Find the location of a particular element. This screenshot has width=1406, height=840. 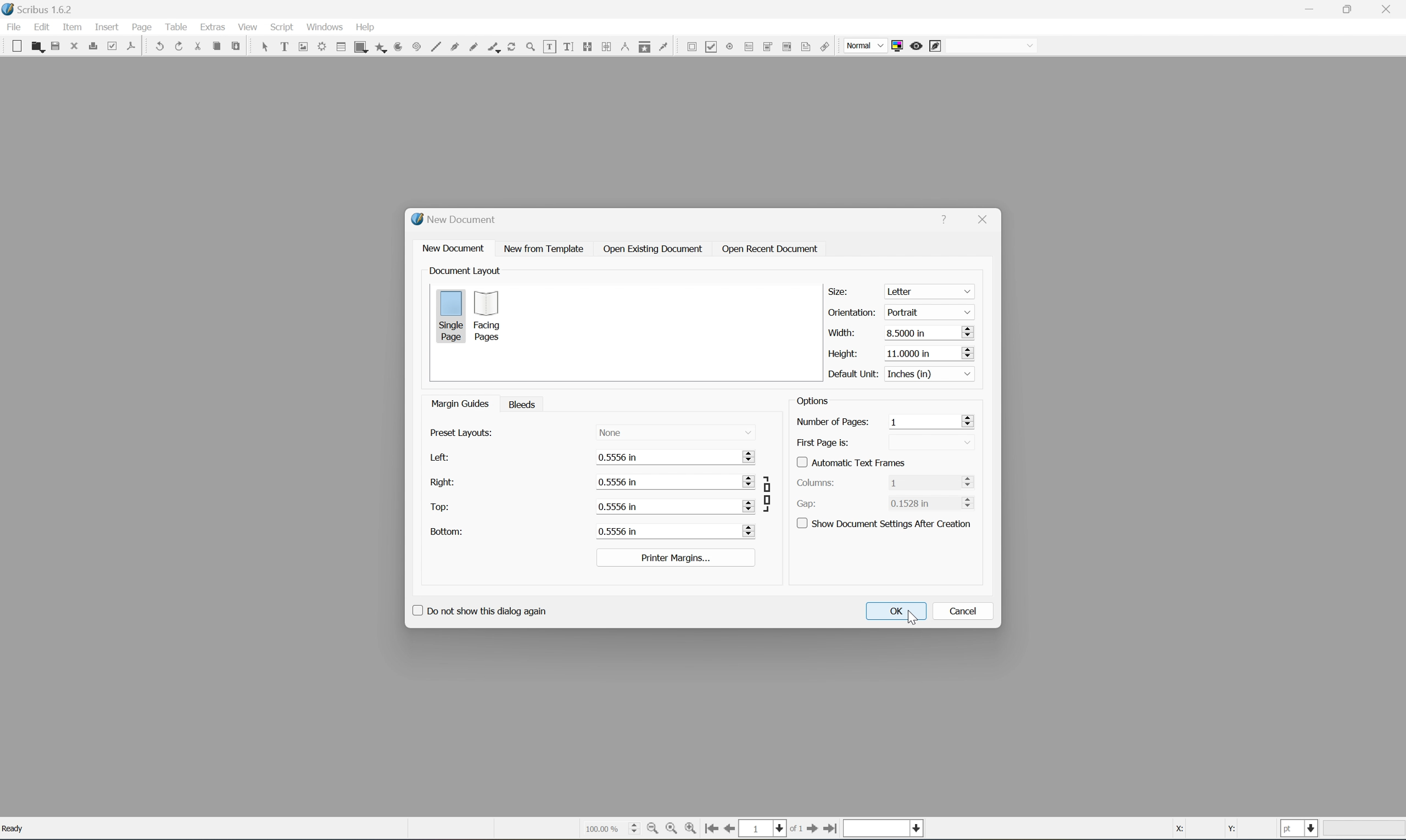

close is located at coordinates (984, 219).